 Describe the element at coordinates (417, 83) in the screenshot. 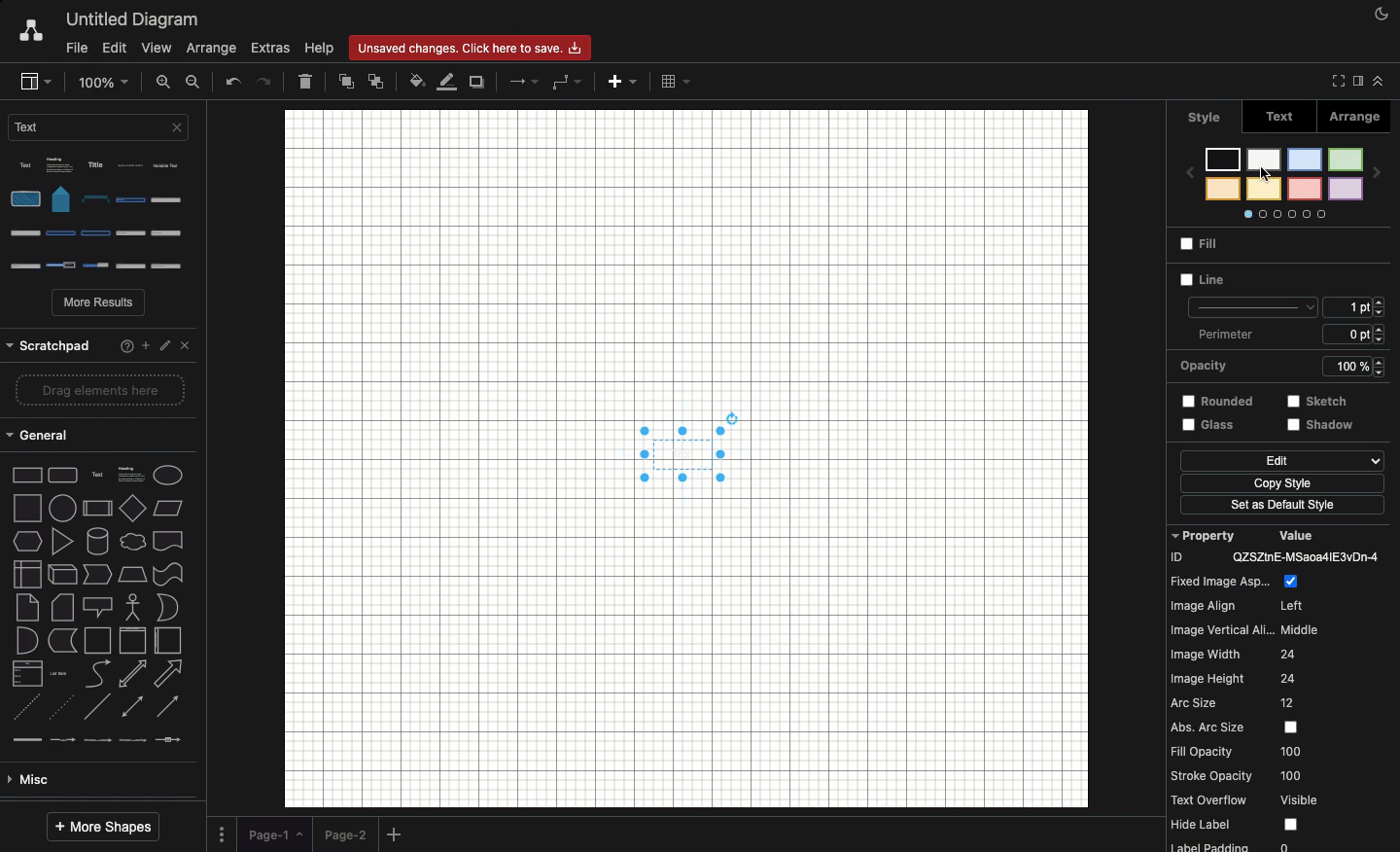

I see `Fill color` at that location.